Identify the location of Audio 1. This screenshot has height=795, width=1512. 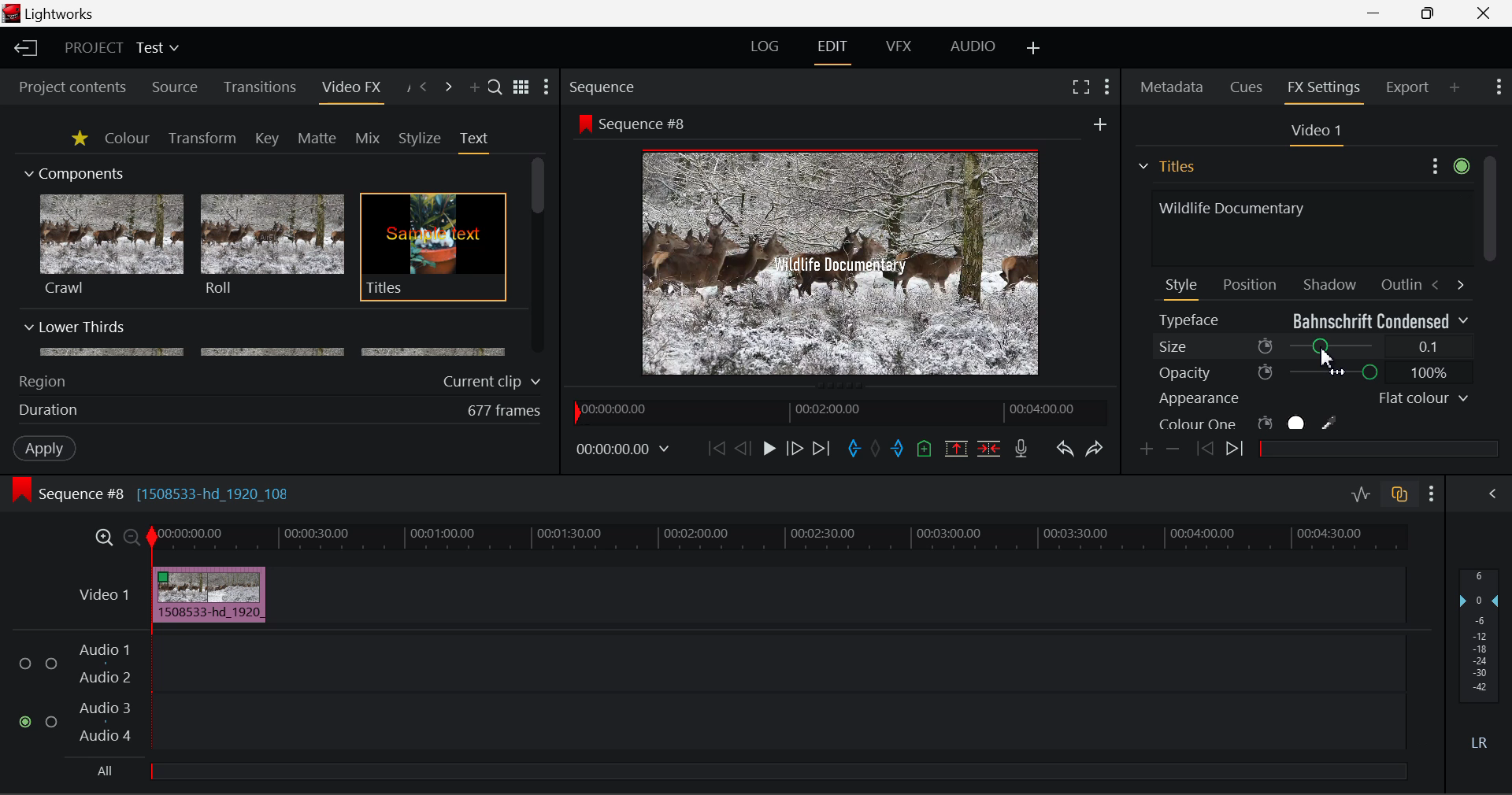
(102, 652).